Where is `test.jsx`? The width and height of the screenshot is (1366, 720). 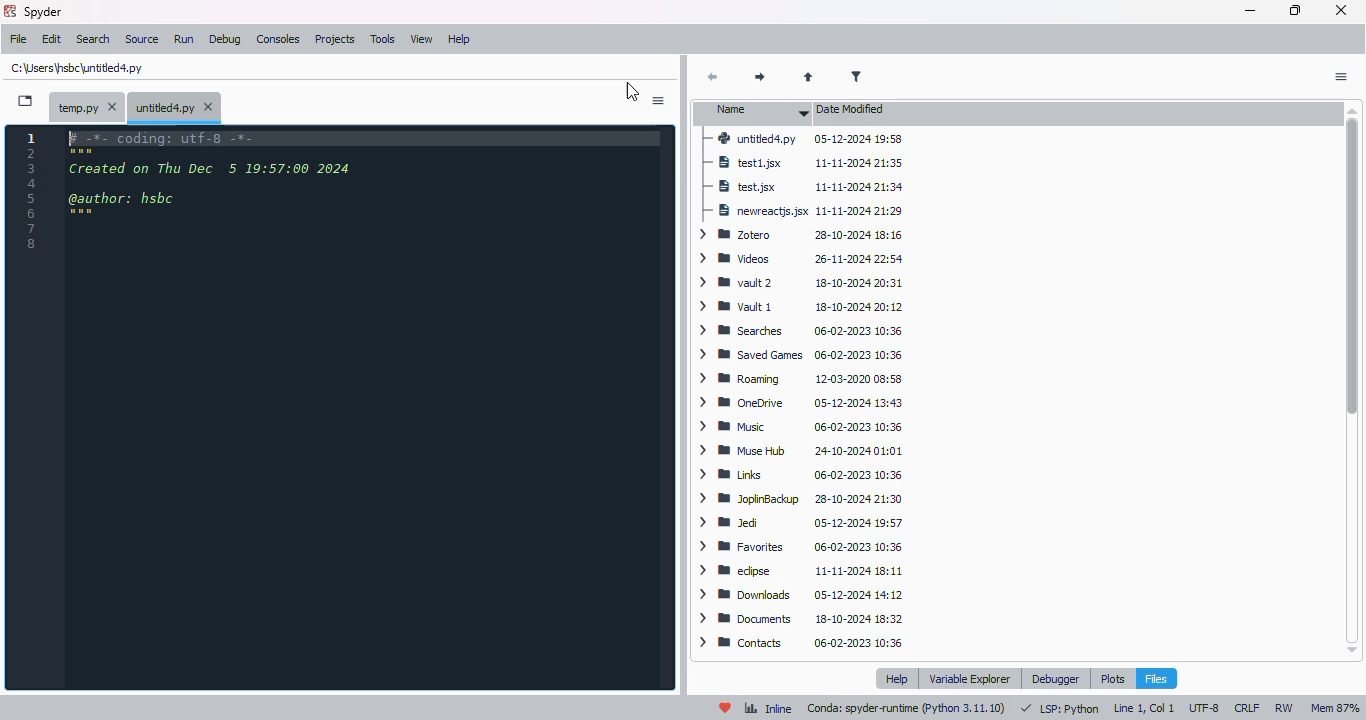
test.jsx is located at coordinates (801, 238).